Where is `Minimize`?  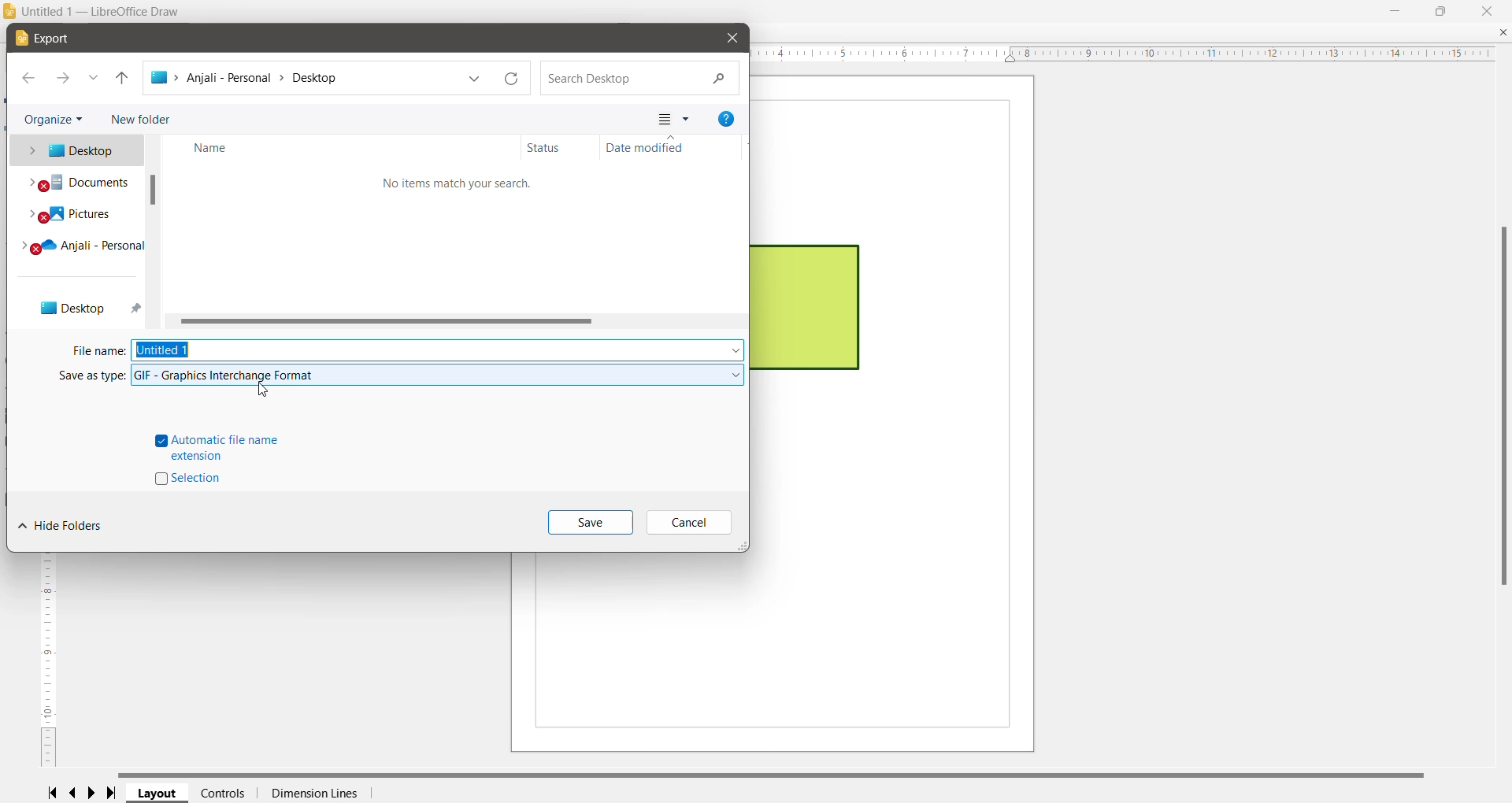
Minimize is located at coordinates (1395, 9).